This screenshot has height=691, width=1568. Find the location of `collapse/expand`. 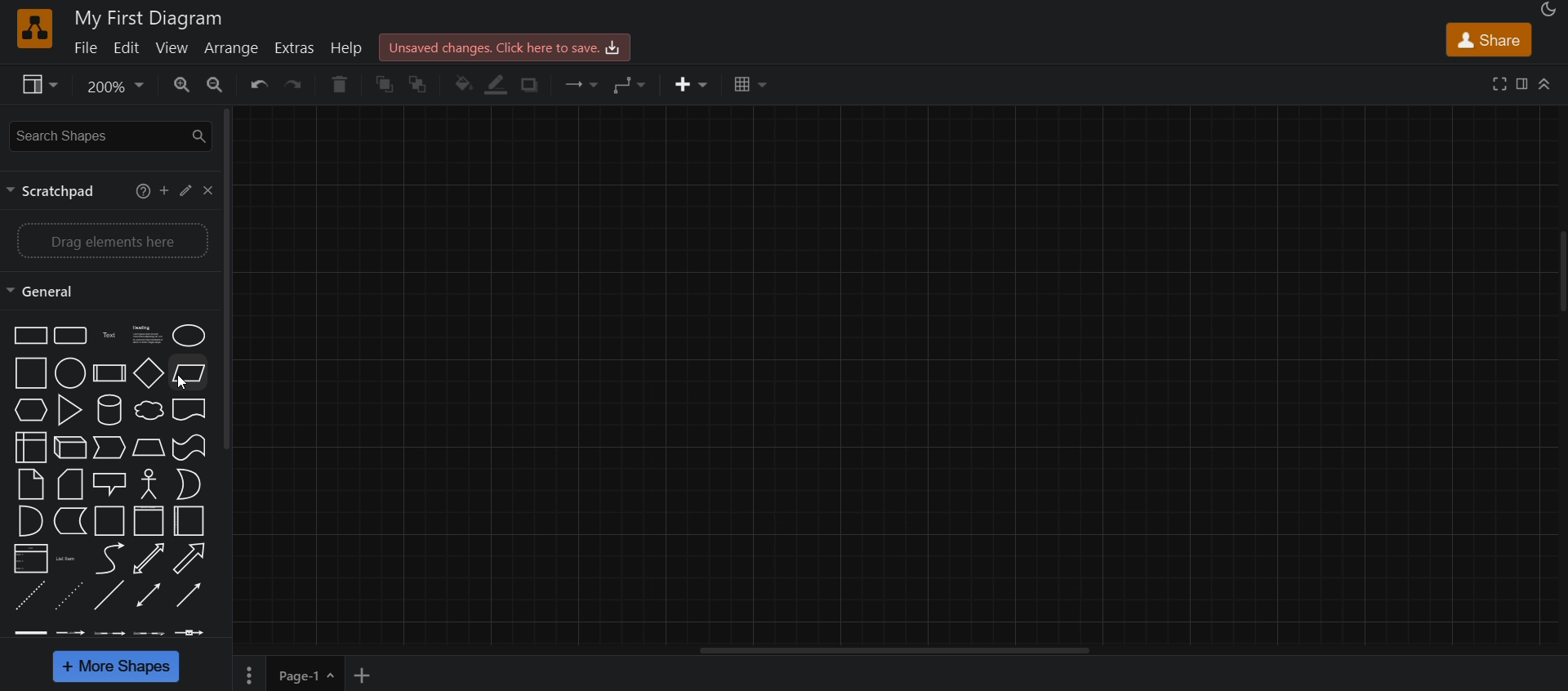

collapse/expand is located at coordinates (1550, 83).